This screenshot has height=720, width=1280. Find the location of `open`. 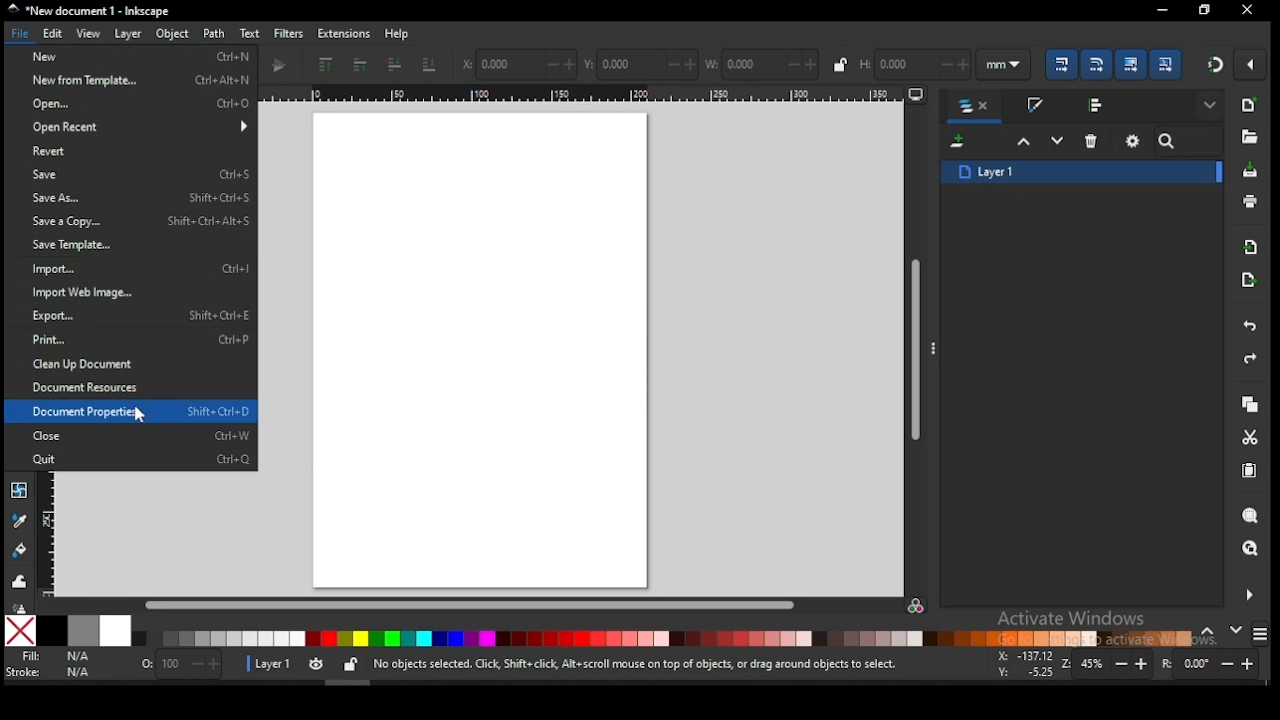

open is located at coordinates (136, 103).